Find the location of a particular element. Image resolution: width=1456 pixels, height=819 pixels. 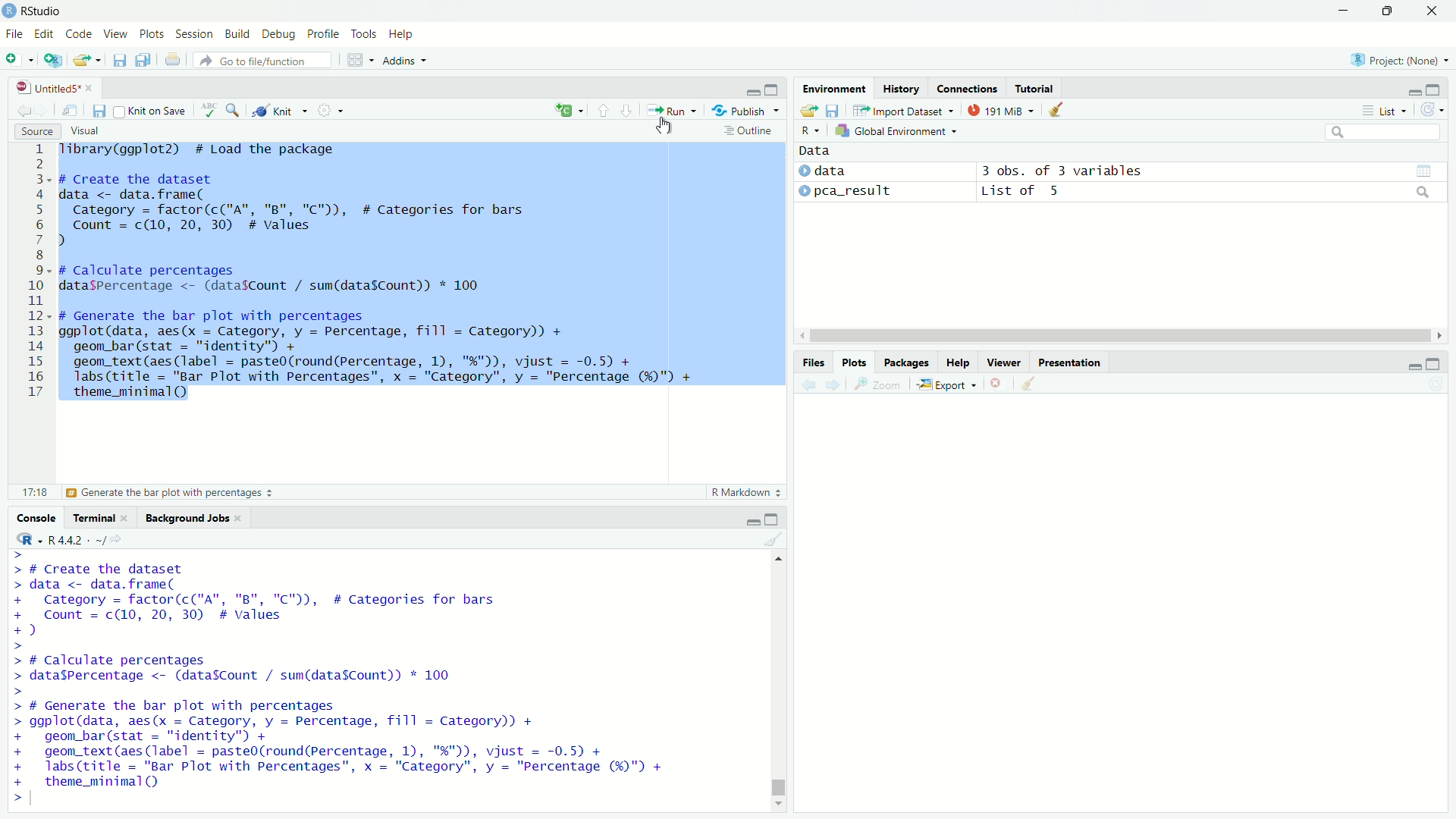

lines is located at coordinates (38, 272).